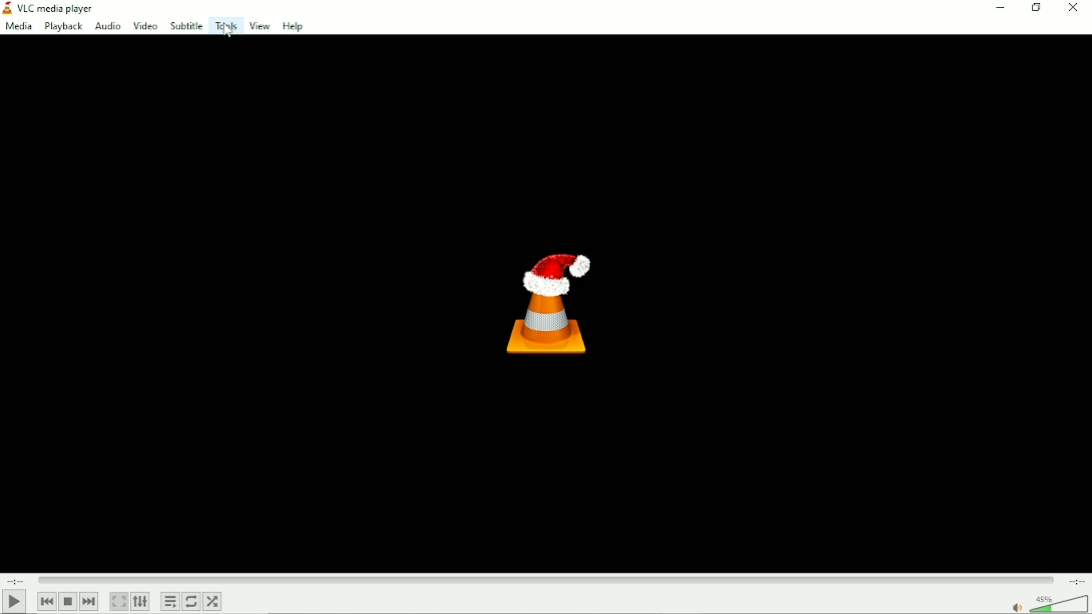 This screenshot has height=614, width=1092. I want to click on Media, so click(17, 27).